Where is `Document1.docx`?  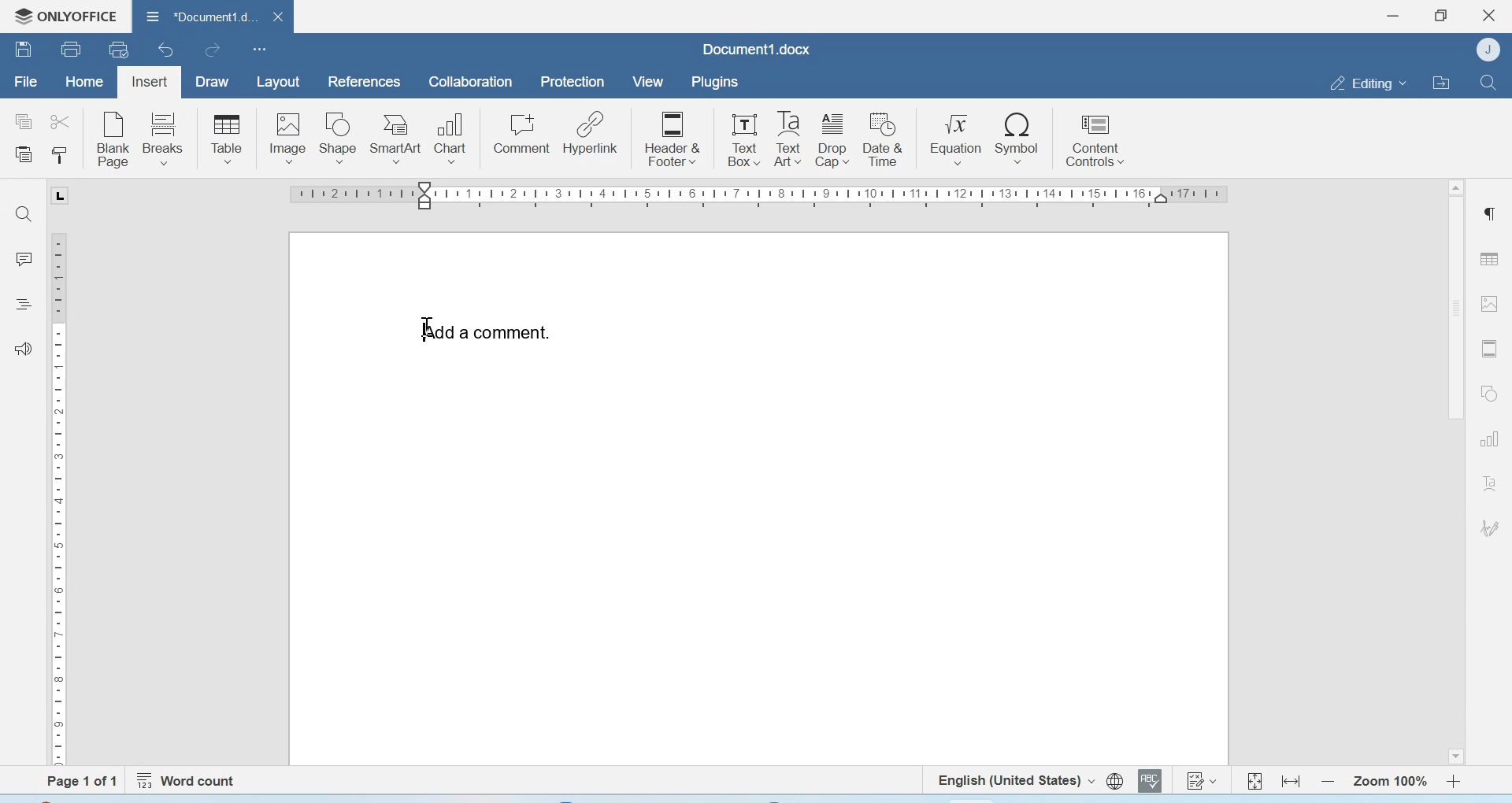 Document1.docx is located at coordinates (199, 14).